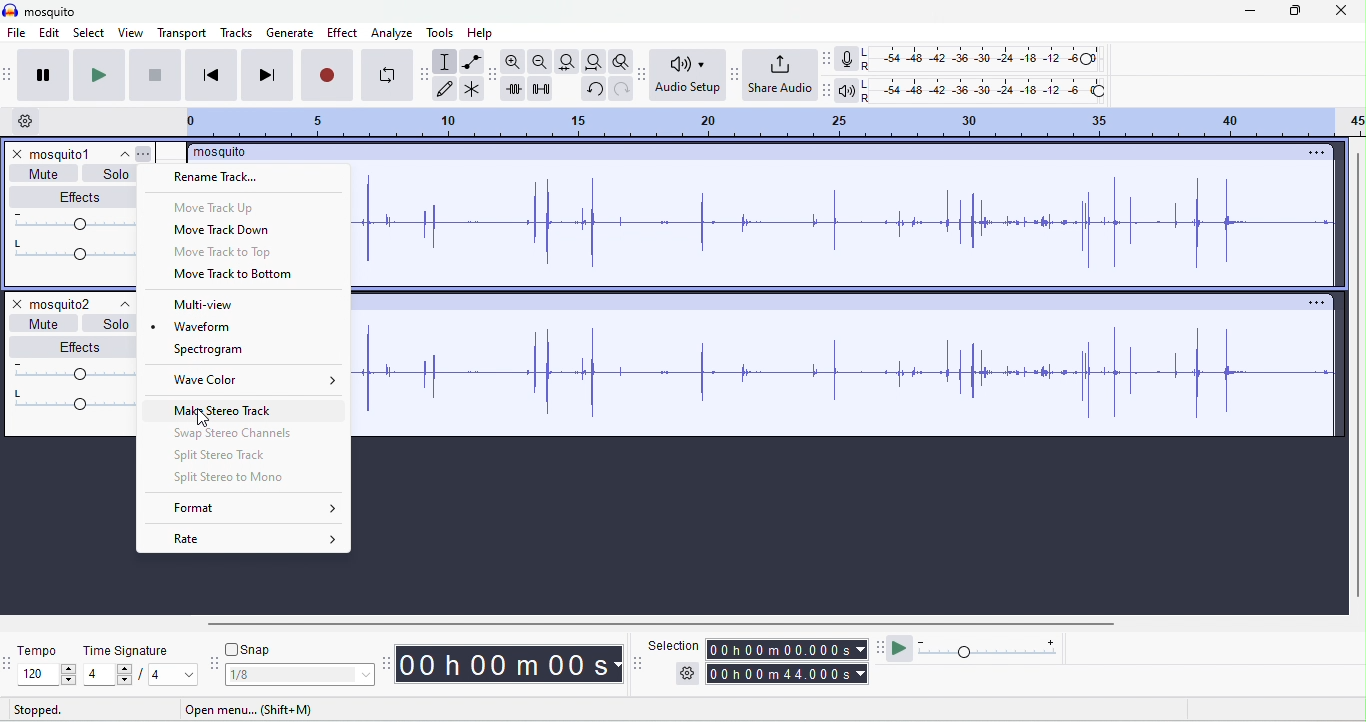 The image size is (1366, 722). I want to click on short to menu, so click(250, 711).